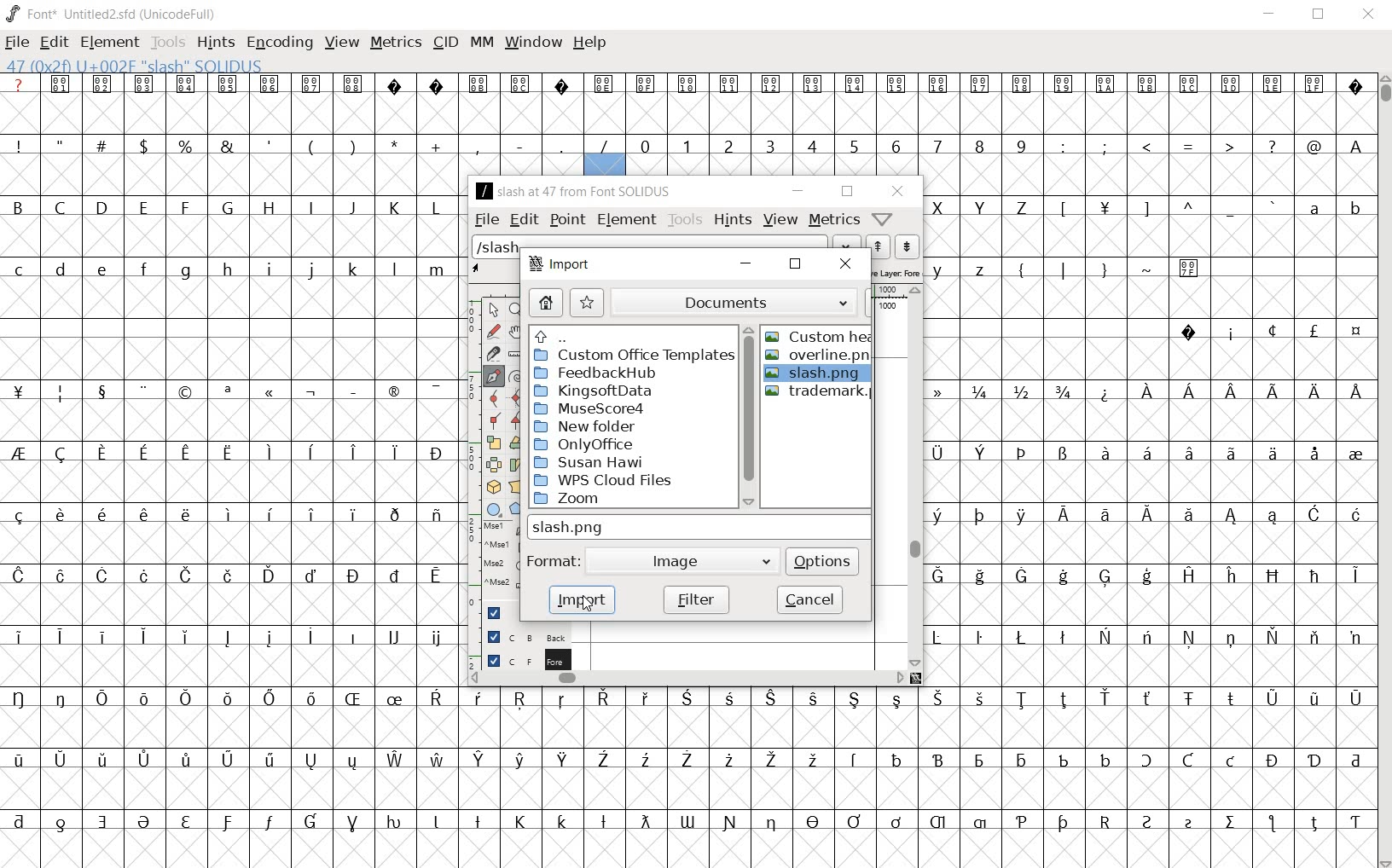 This screenshot has width=1392, height=868. Describe the element at coordinates (234, 357) in the screenshot. I see `empty cells` at that location.